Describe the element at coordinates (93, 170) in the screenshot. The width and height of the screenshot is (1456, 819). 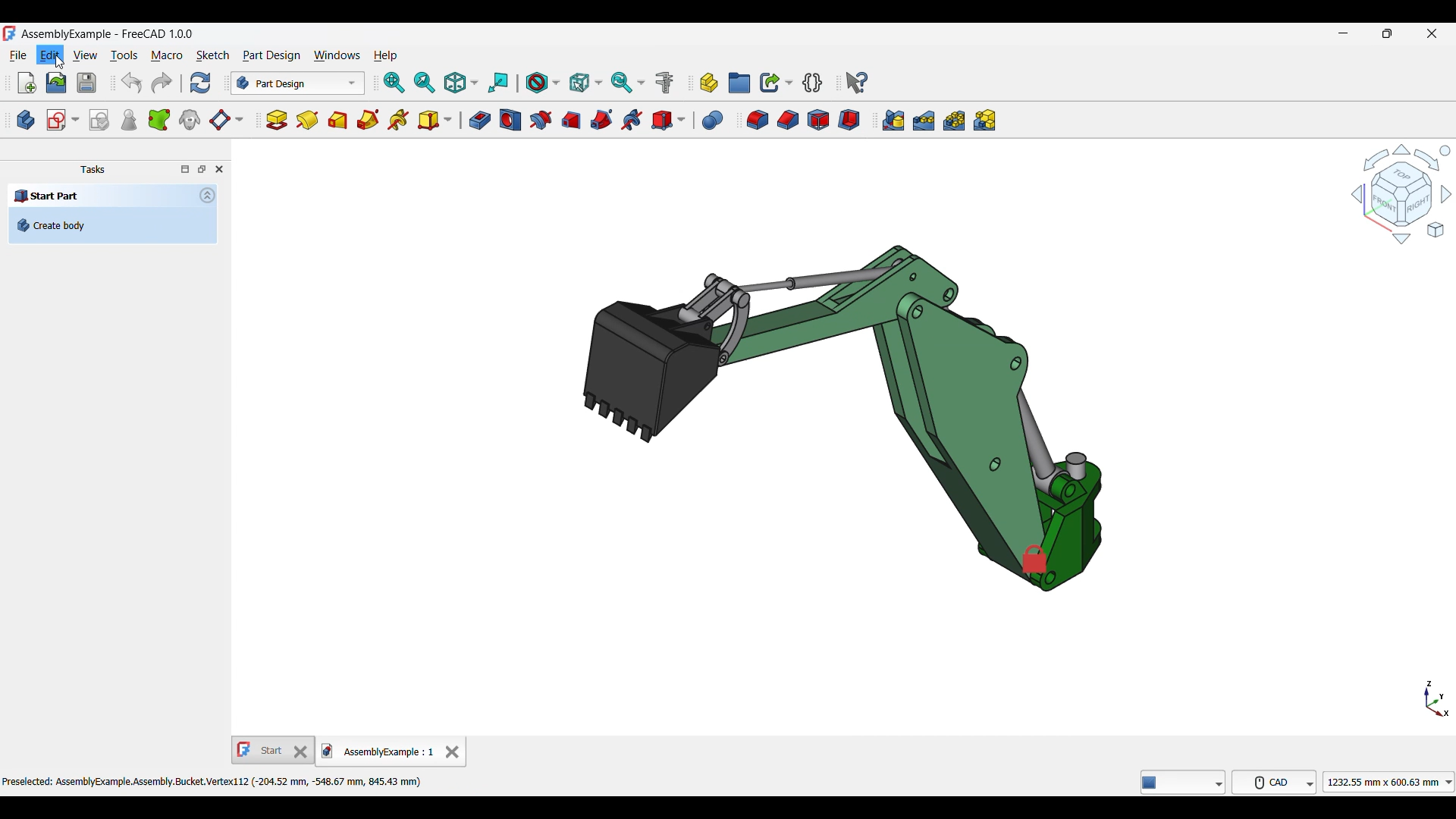
I see `Tasks` at that location.